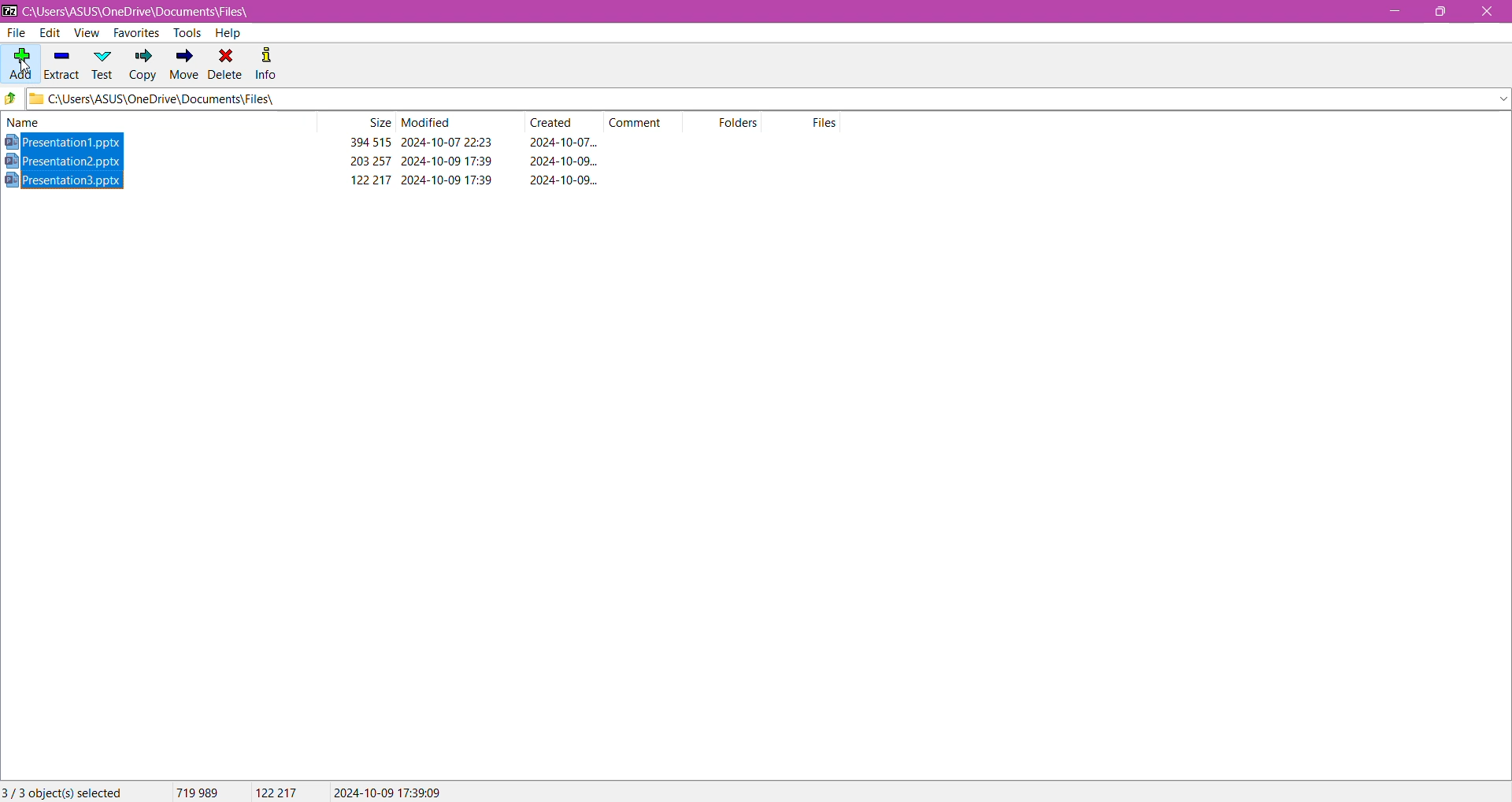 The image size is (1512, 802). Describe the element at coordinates (641, 121) in the screenshot. I see `Comment` at that location.